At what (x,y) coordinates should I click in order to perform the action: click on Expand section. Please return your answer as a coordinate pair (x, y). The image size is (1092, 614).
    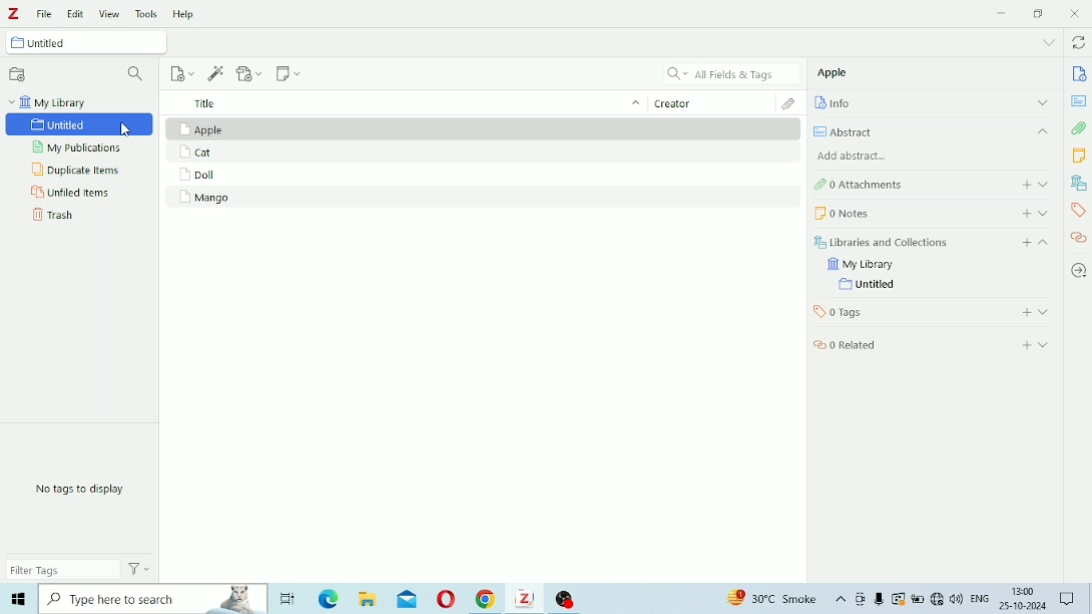
    Looking at the image, I should click on (1044, 213).